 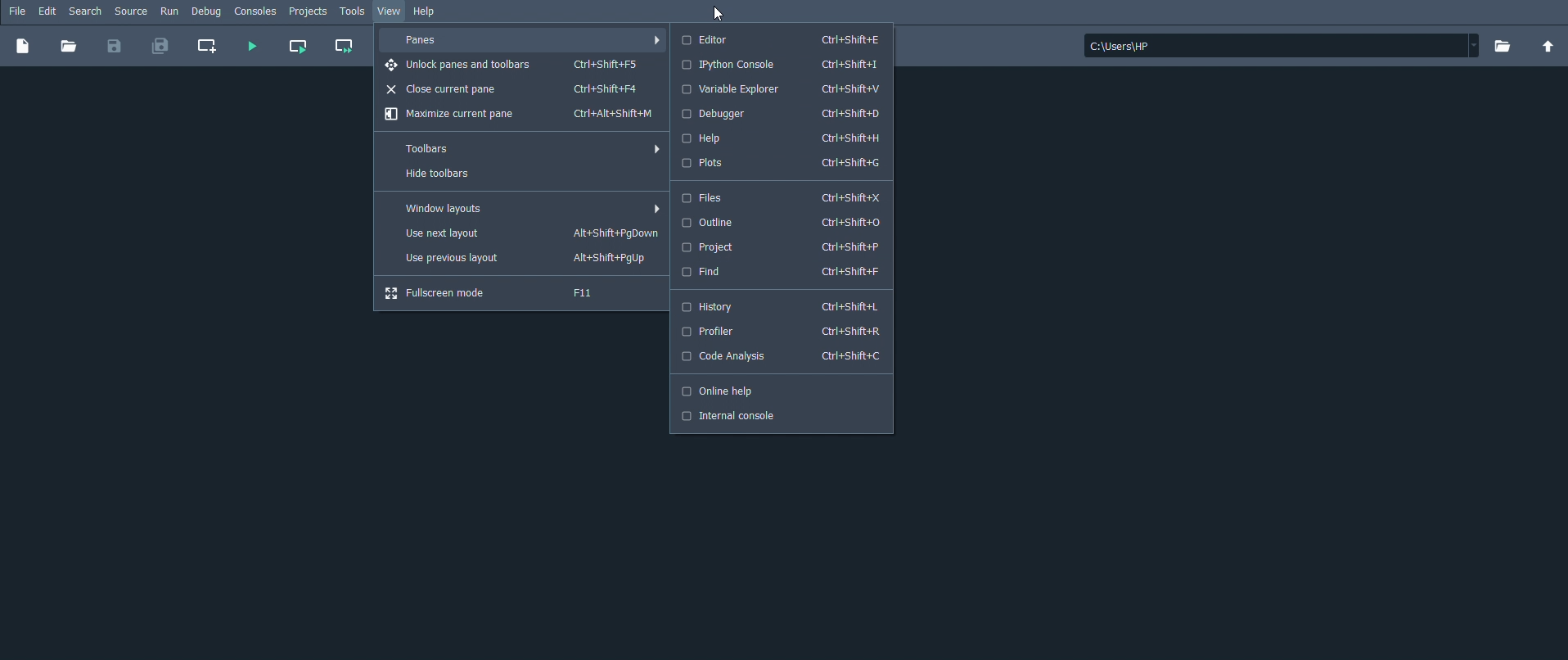 What do you see at coordinates (786, 138) in the screenshot?
I see `Help` at bounding box center [786, 138].